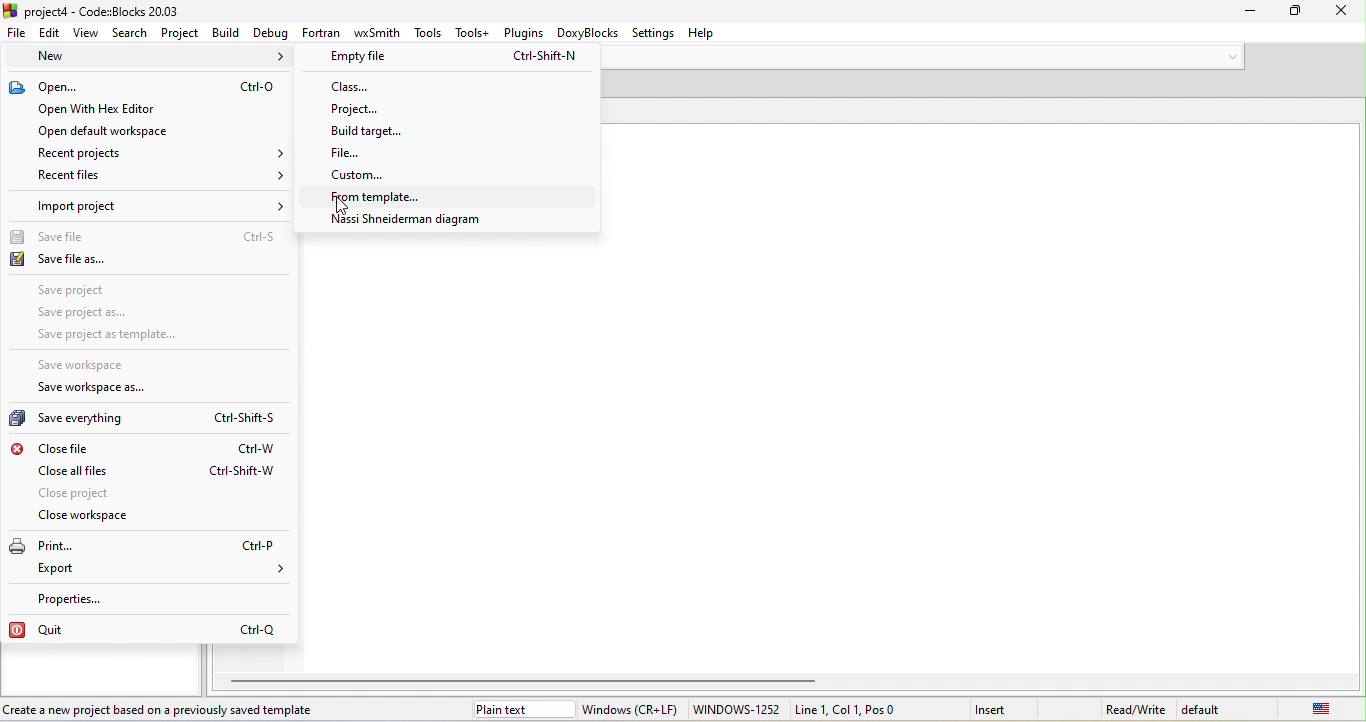 The height and width of the screenshot is (722, 1366). I want to click on new, so click(154, 60).